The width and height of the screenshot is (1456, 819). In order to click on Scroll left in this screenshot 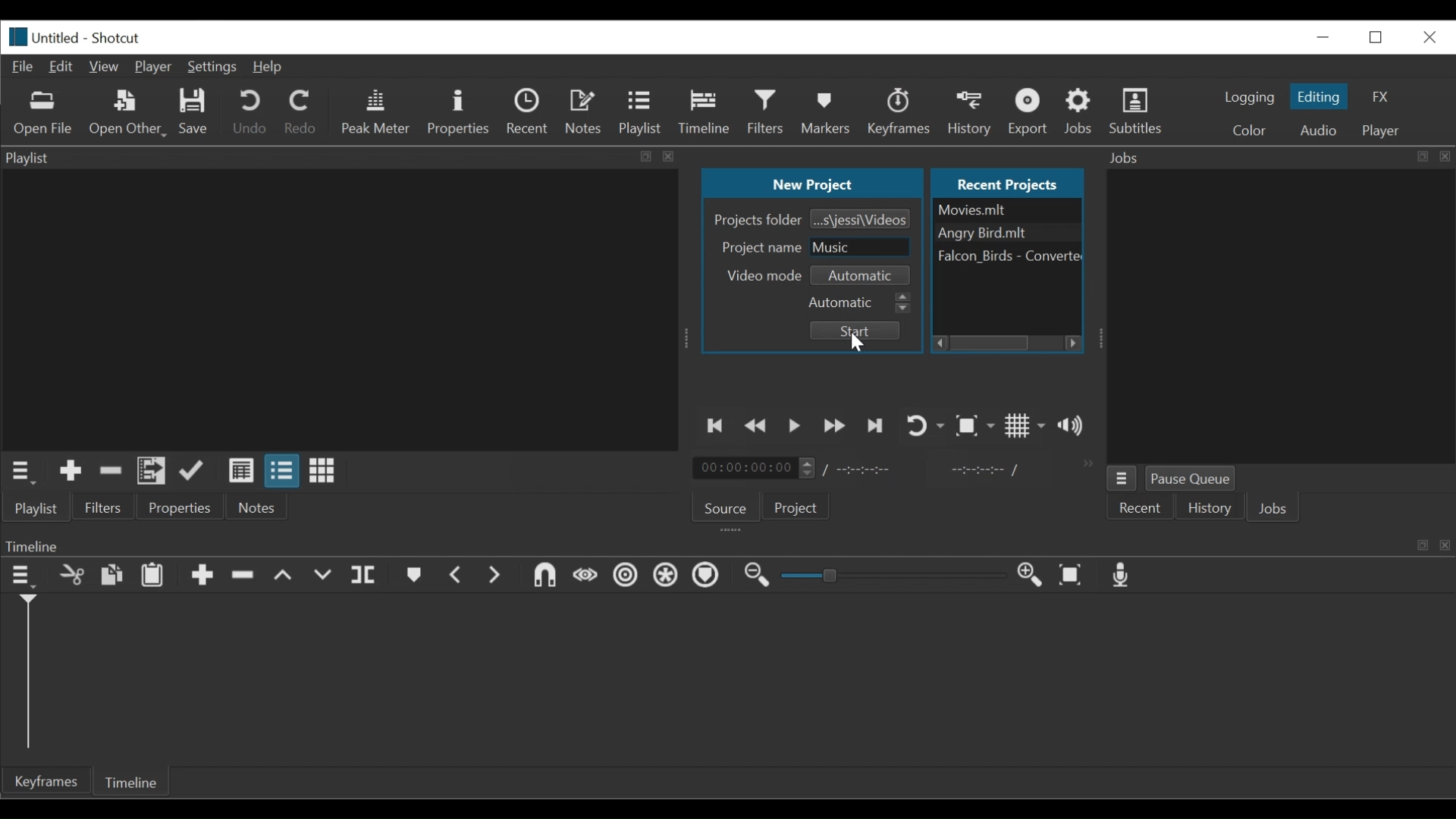, I will do `click(939, 343)`.